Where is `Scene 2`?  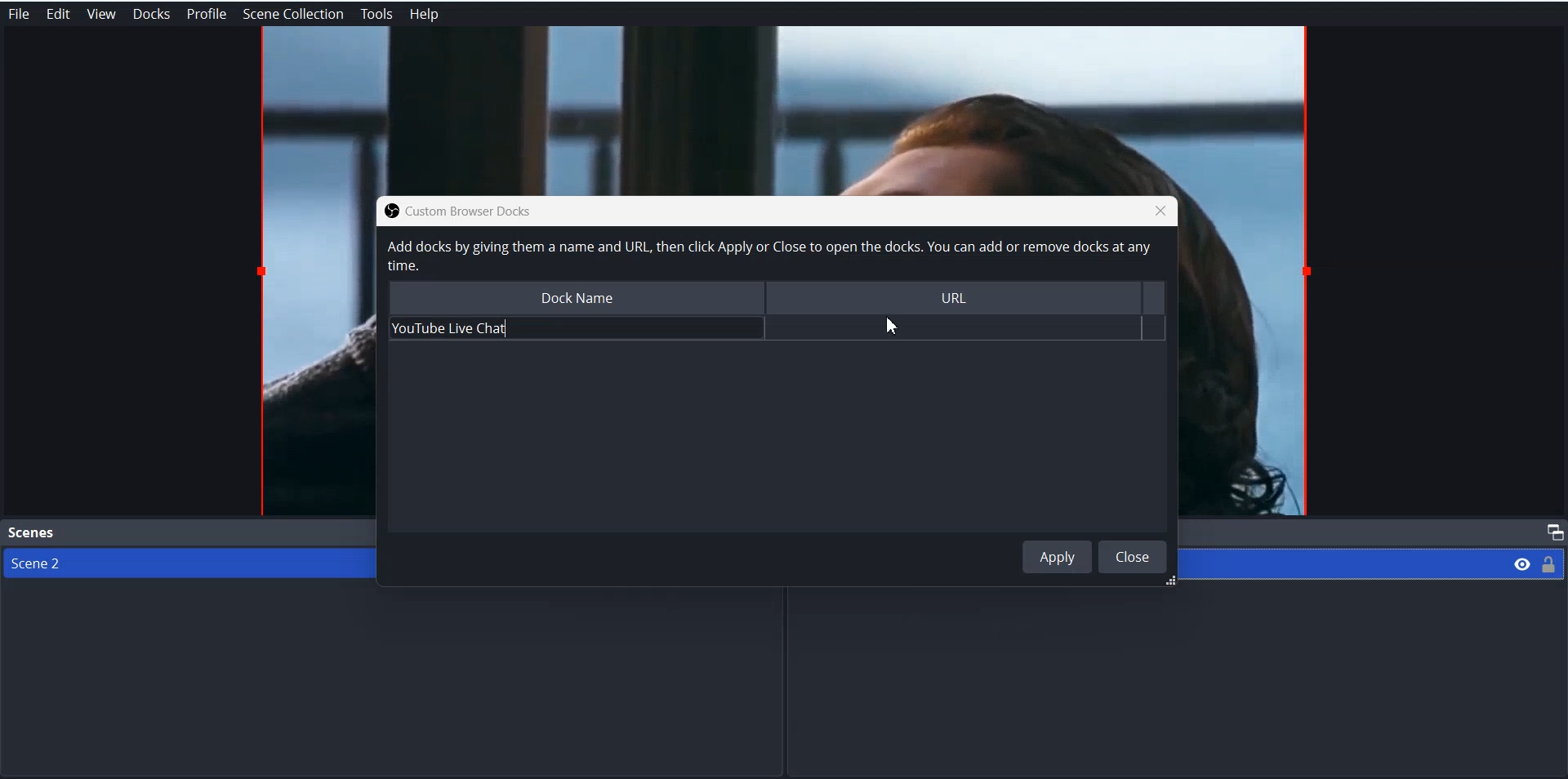
Scene 2 is located at coordinates (180, 563).